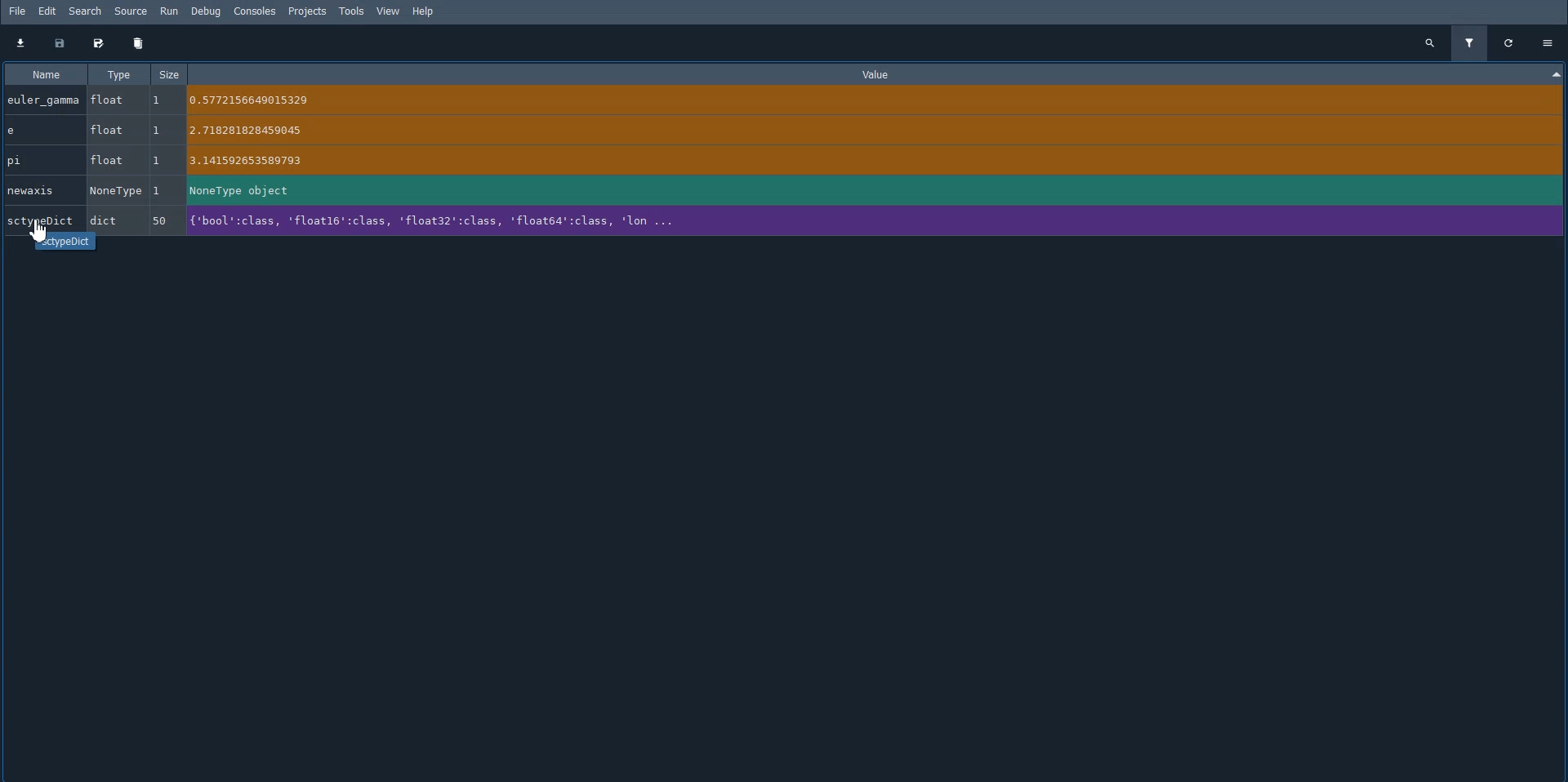 Image resolution: width=1568 pixels, height=782 pixels. I want to click on Value, so click(878, 73).